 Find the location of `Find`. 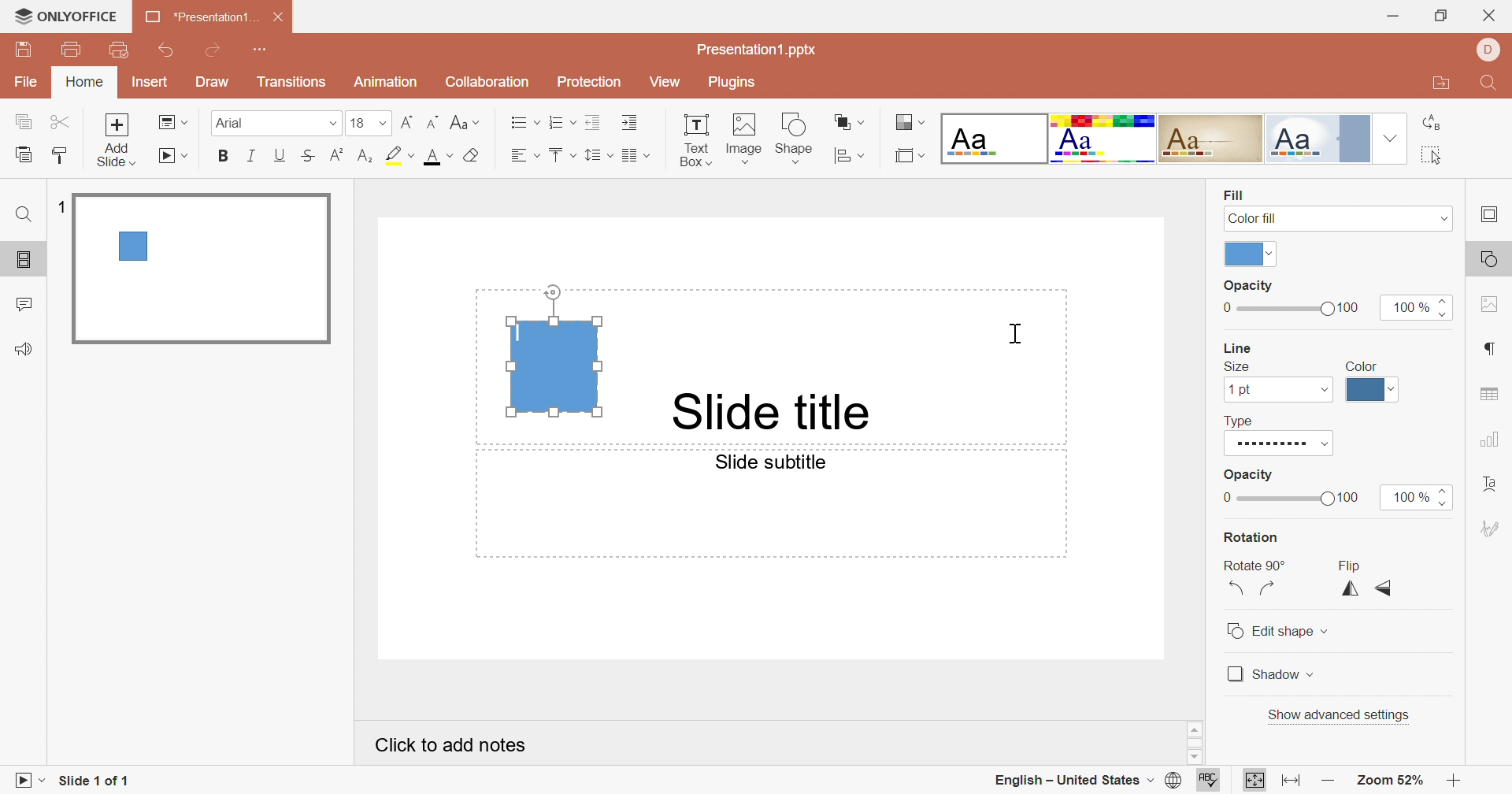

Find is located at coordinates (23, 217).